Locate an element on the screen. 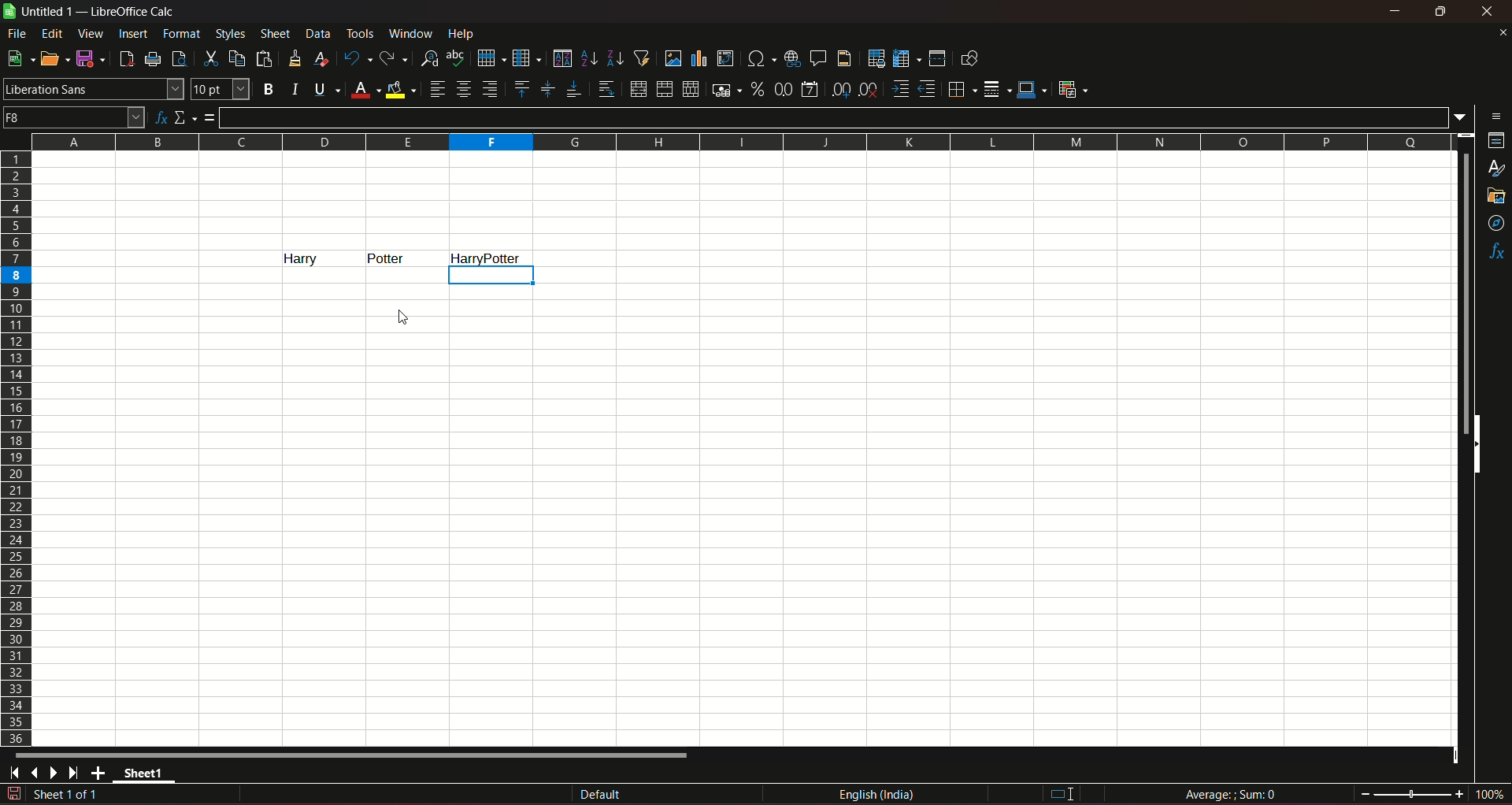 Image resolution: width=1512 pixels, height=805 pixels. spelling is located at coordinates (457, 58).